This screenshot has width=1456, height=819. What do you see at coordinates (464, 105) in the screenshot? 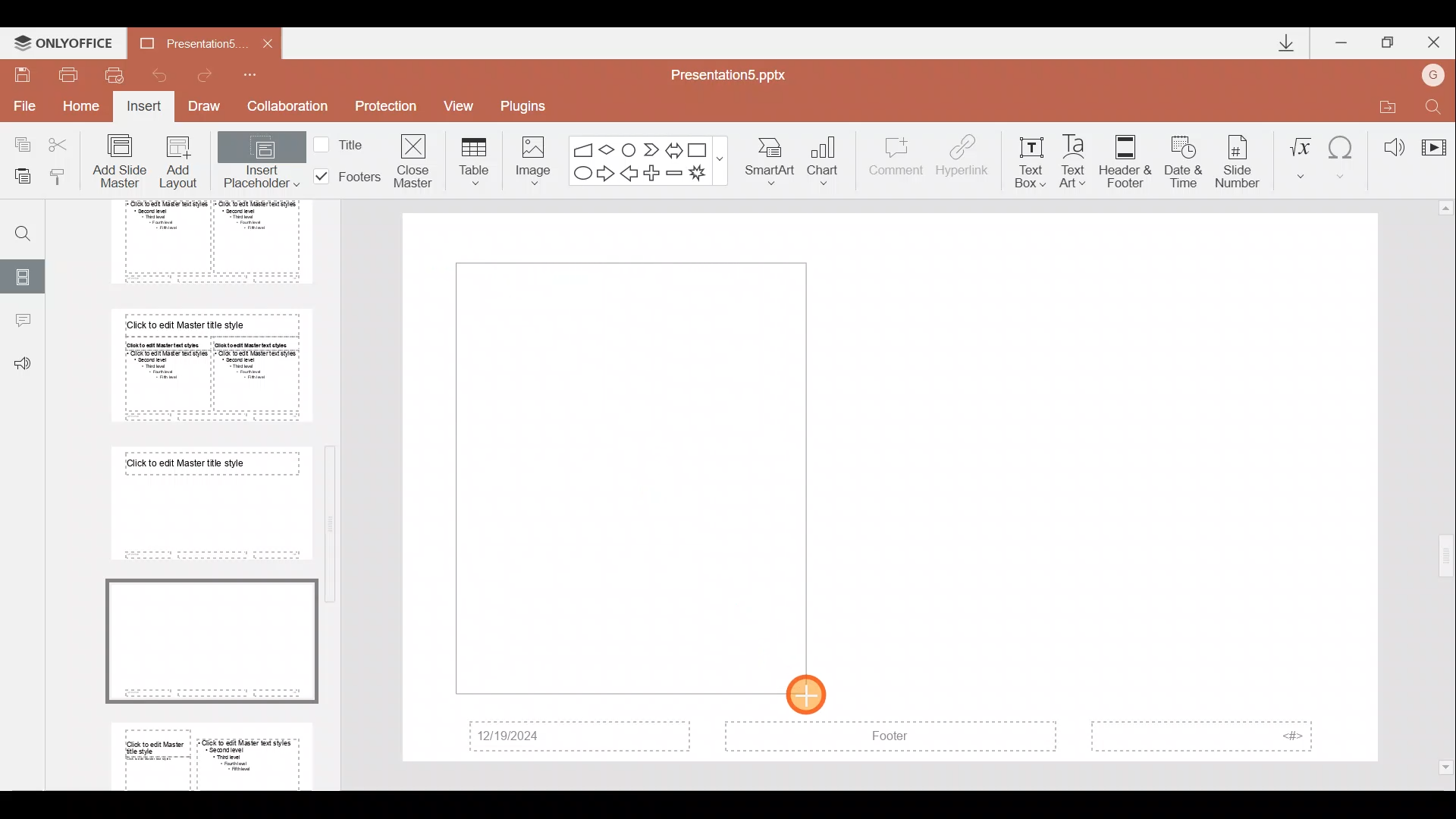
I see `View` at bounding box center [464, 105].